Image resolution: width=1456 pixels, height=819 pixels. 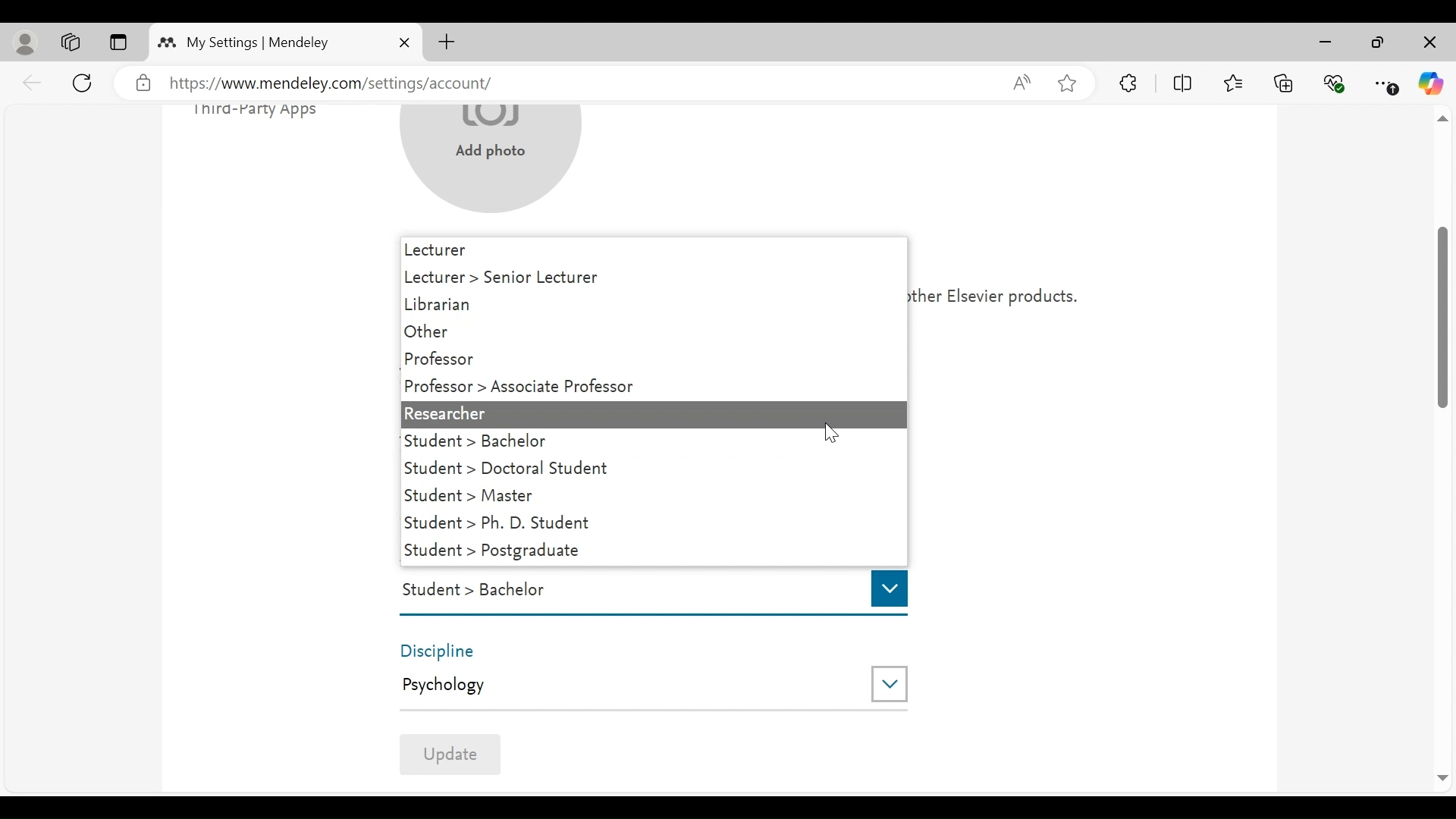 I want to click on verified, so click(x=143, y=83).